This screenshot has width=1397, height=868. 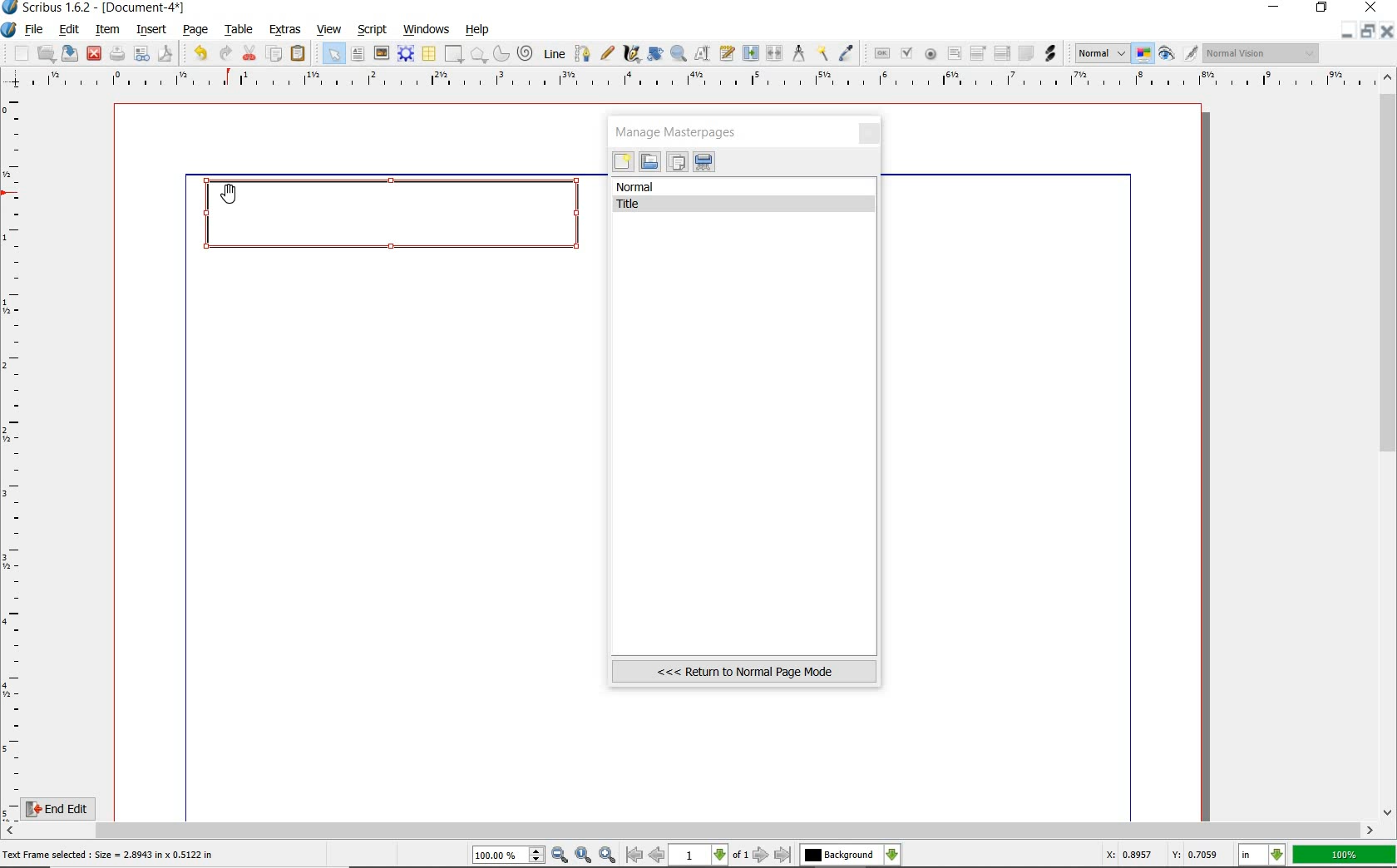 What do you see at coordinates (1025, 54) in the screenshot?
I see `text annotation` at bounding box center [1025, 54].